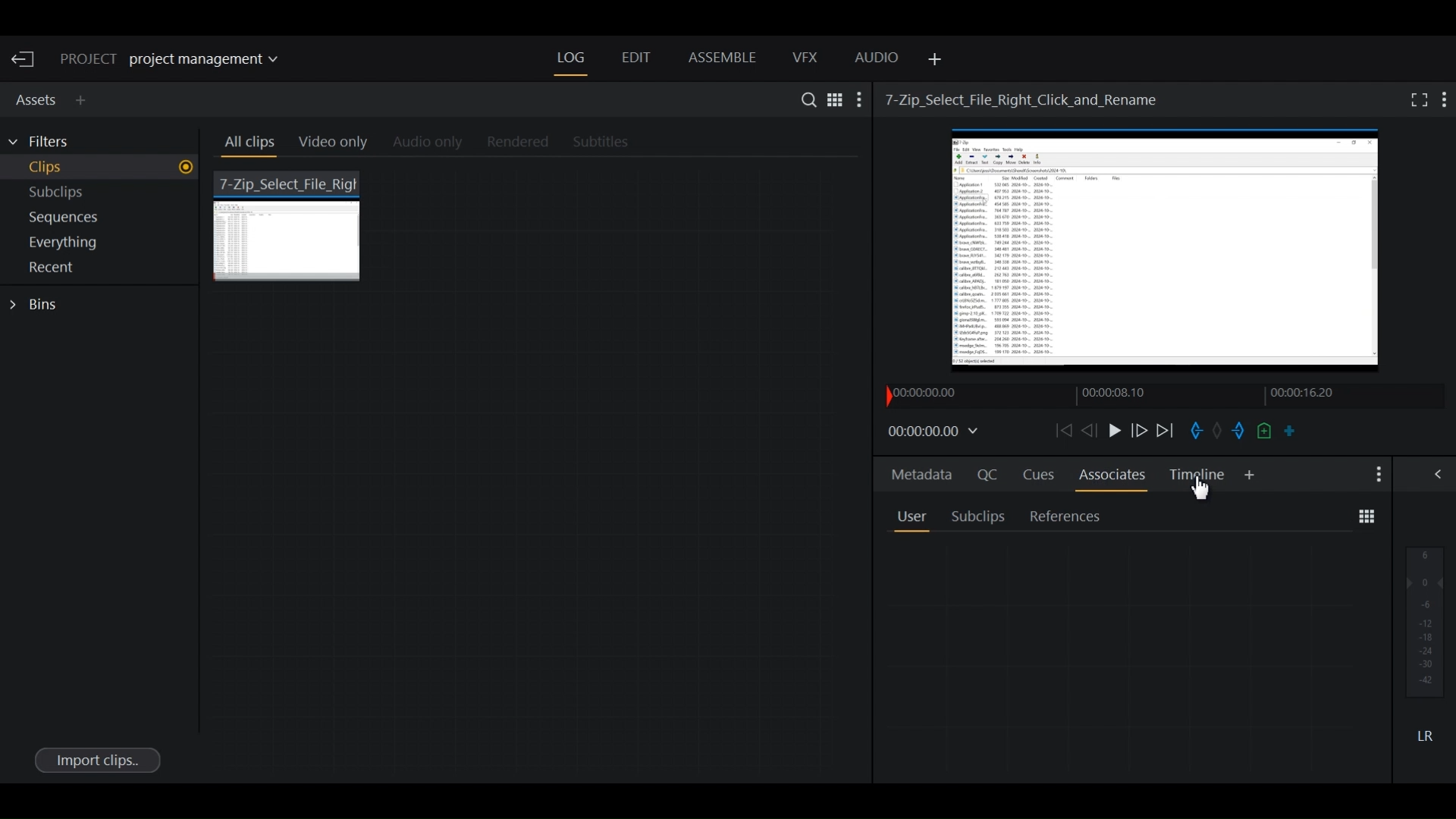 Image resolution: width=1456 pixels, height=819 pixels. What do you see at coordinates (1425, 735) in the screenshot?
I see `Mute` at bounding box center [1425, 735].